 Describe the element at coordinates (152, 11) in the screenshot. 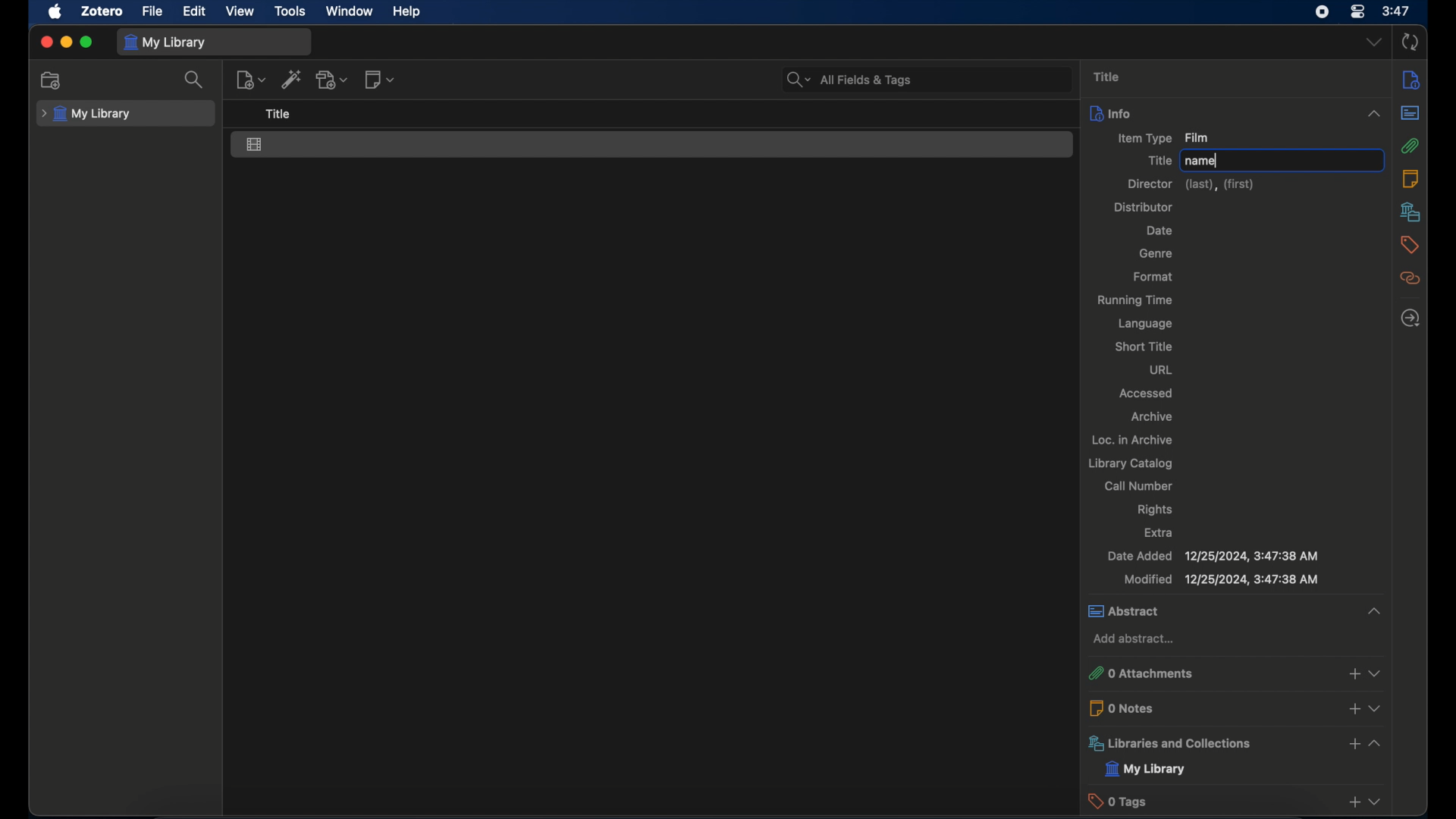

I see `file` at that location.